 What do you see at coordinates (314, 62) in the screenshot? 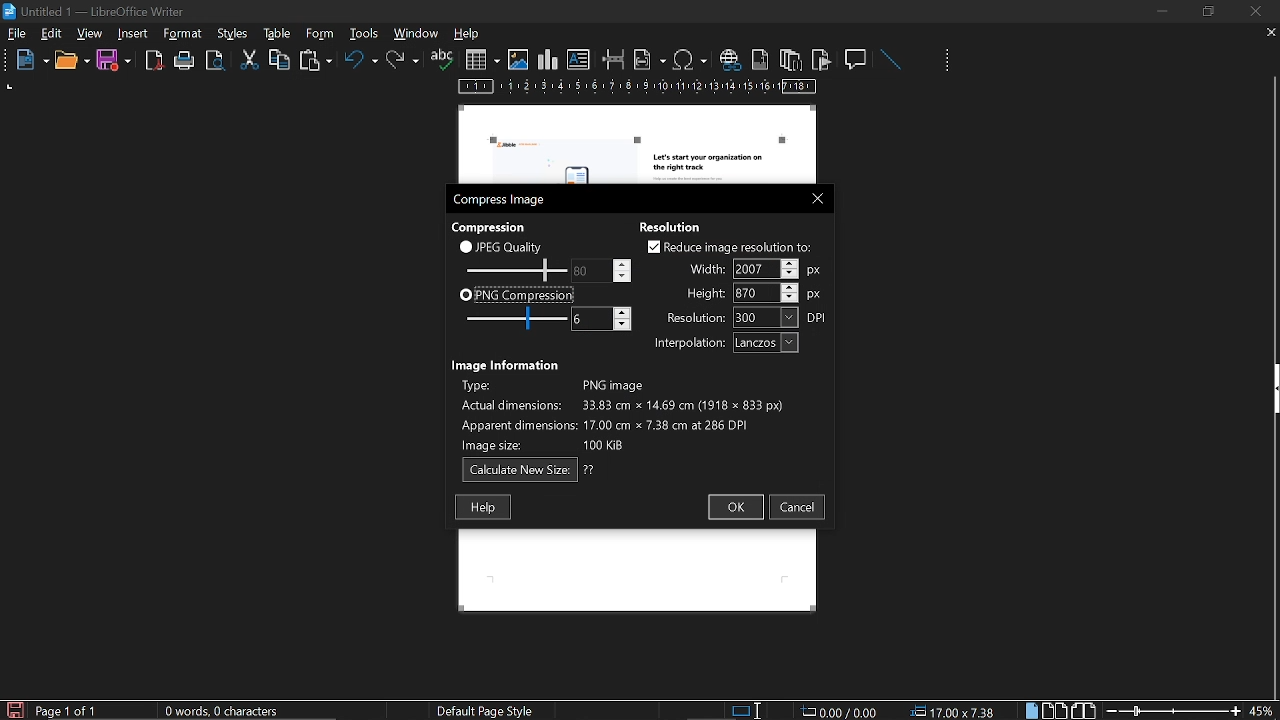
I see `paste` at bounding box center [314, 62].